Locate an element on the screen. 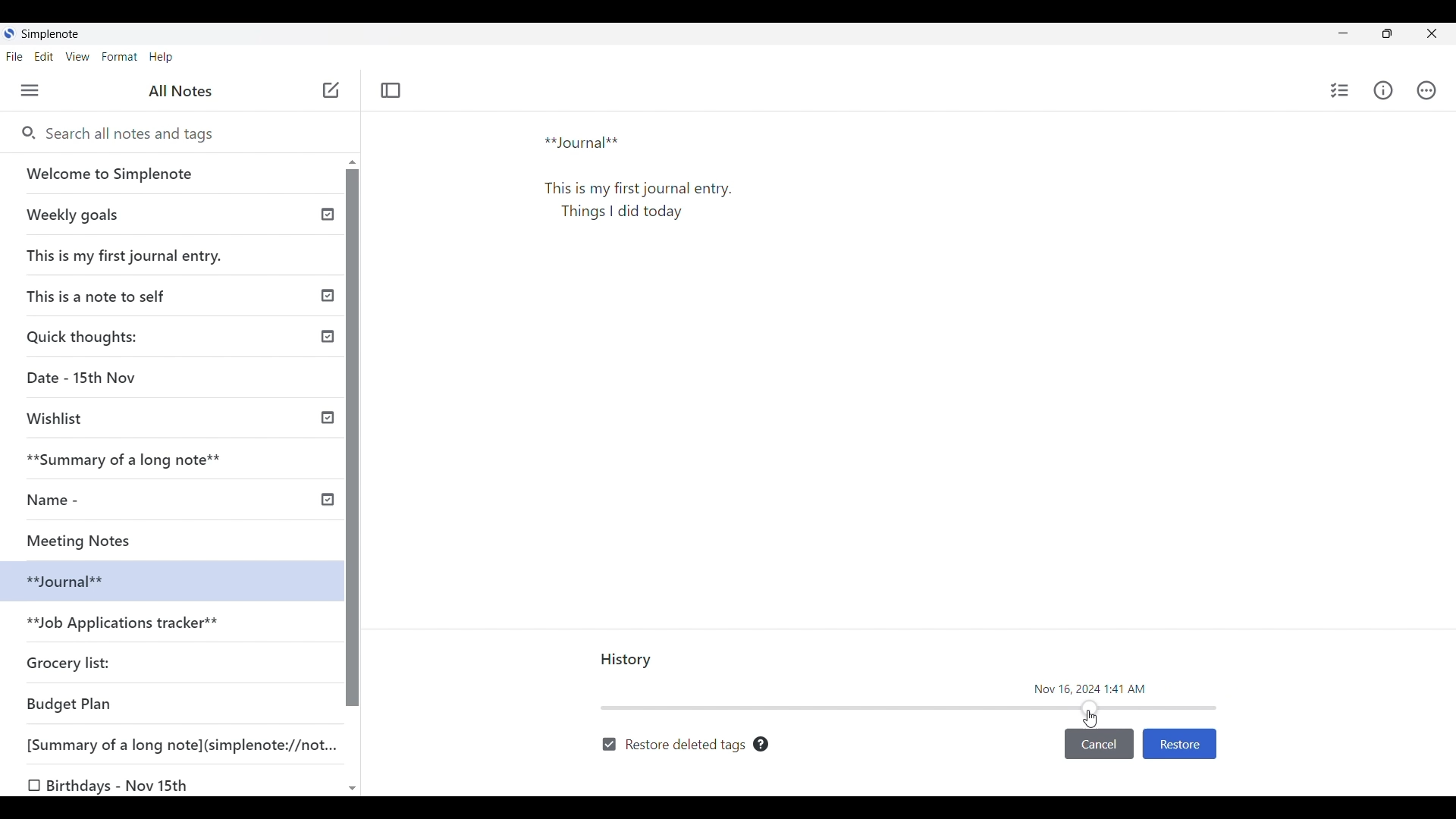 Image resolution: width=1456 pixels, height=819 pixels. Cursor sliding the header along the slider is located at coordinates (1090, 719).